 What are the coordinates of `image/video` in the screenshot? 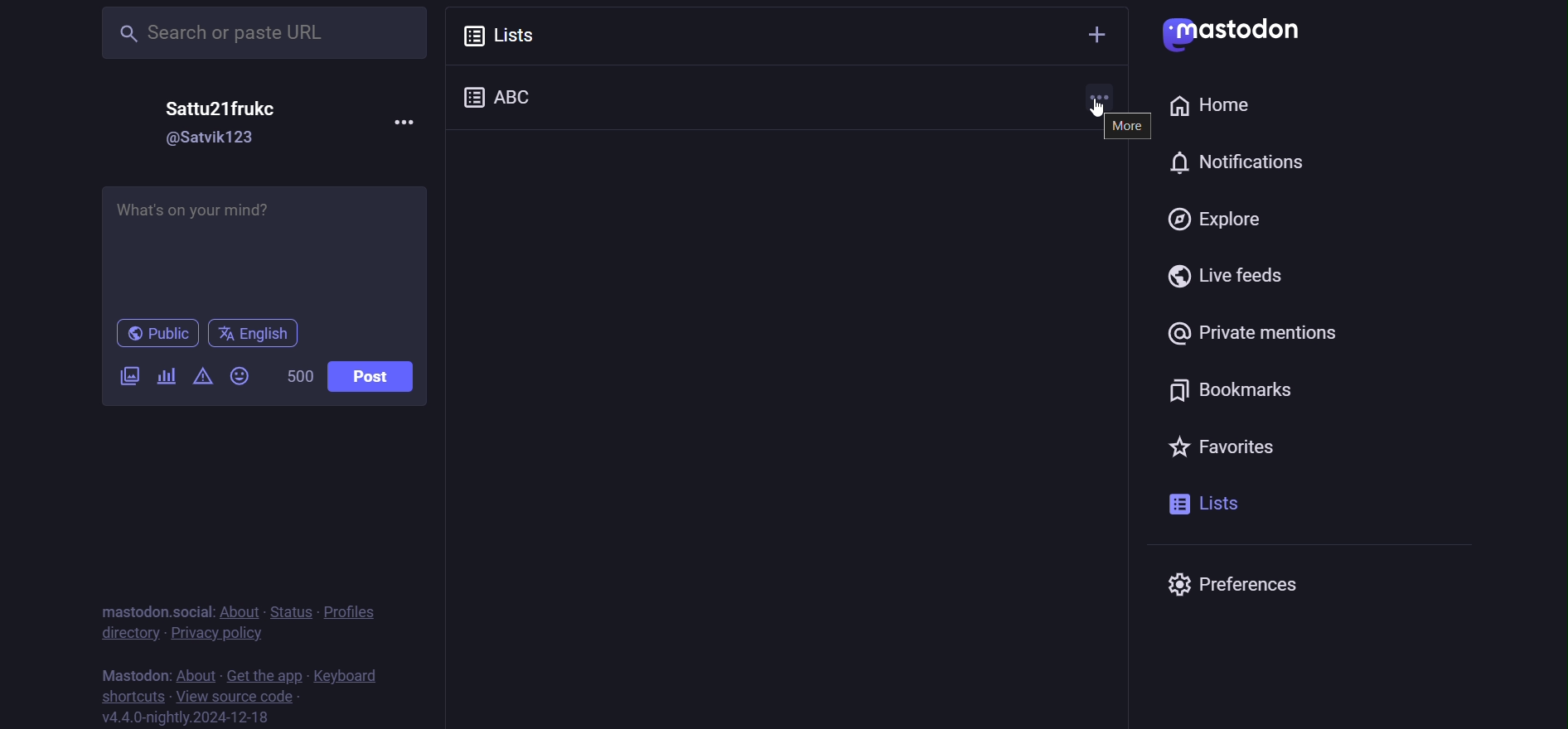 It's located at (128, 374).